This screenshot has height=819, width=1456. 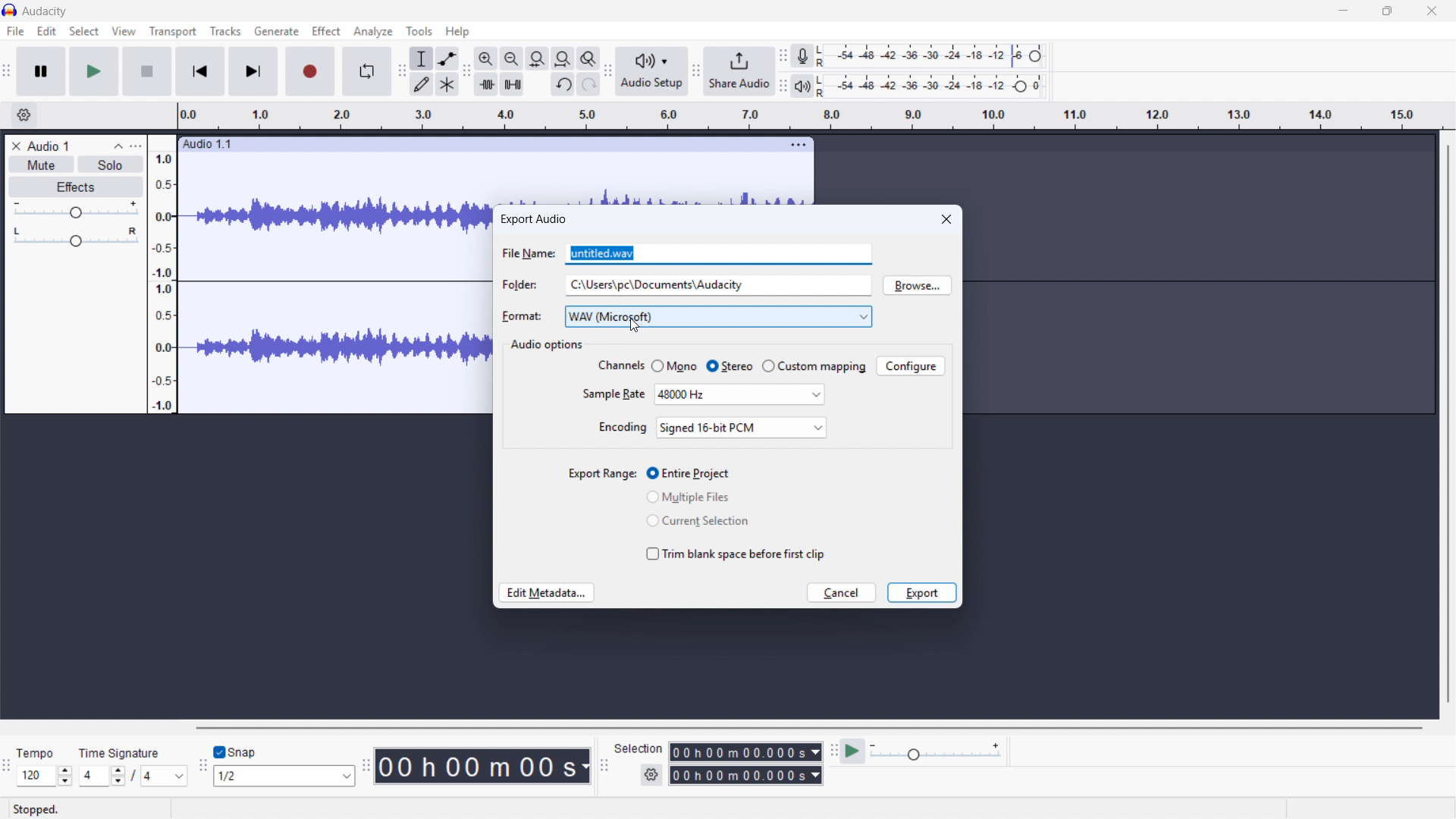 I want to click on Play at speed, so click(x=852, y=751).